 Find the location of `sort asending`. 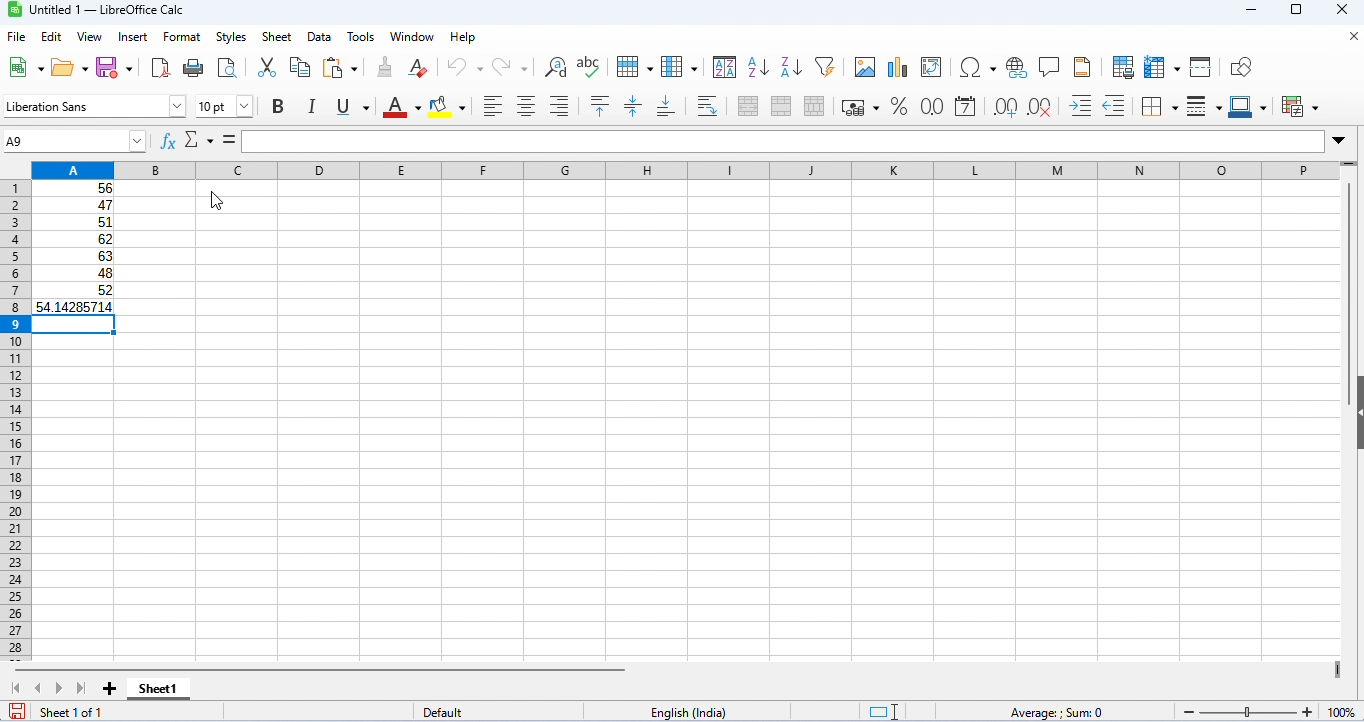

sort asending is located at coordinates (757, 66).